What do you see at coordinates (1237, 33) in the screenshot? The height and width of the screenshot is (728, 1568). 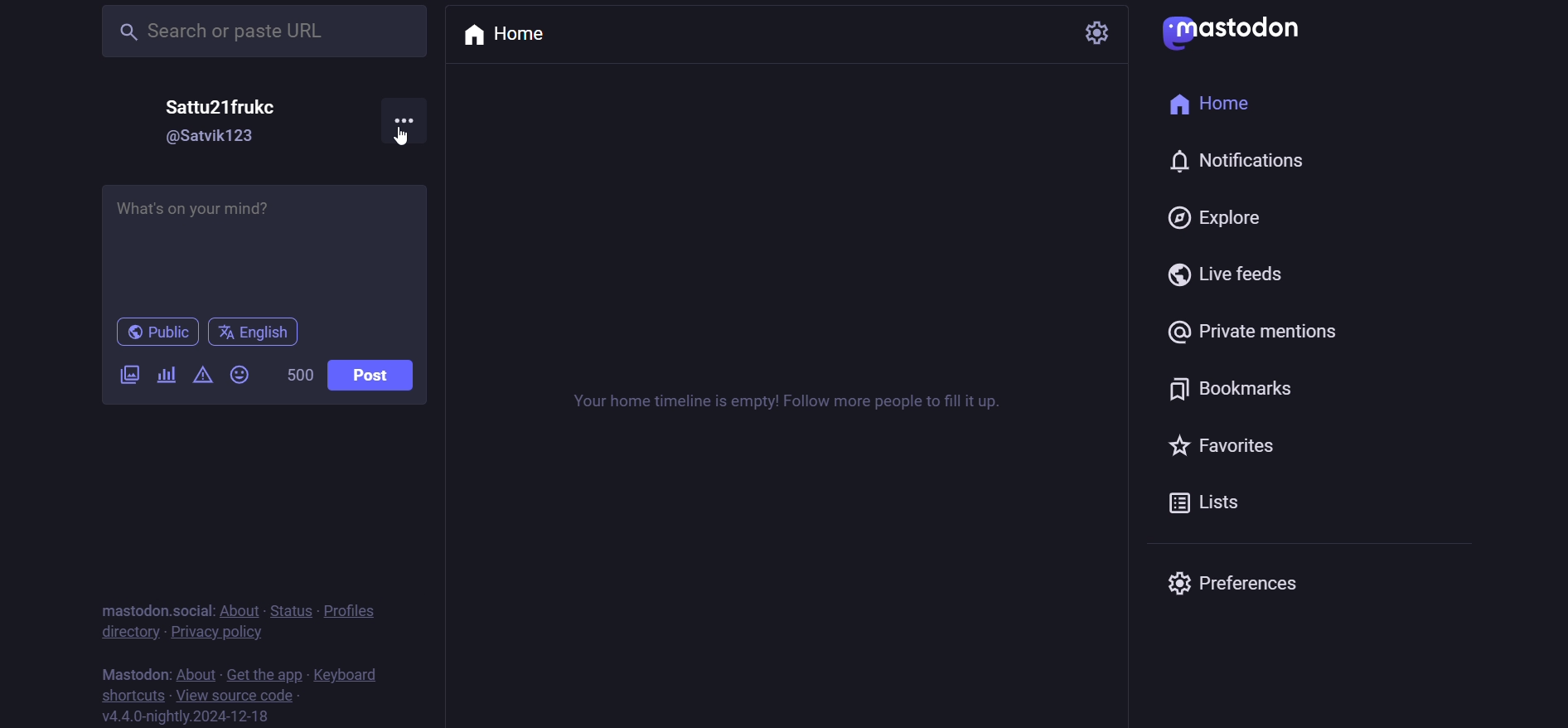 I see `logo` at bounding box center [1237, 33].